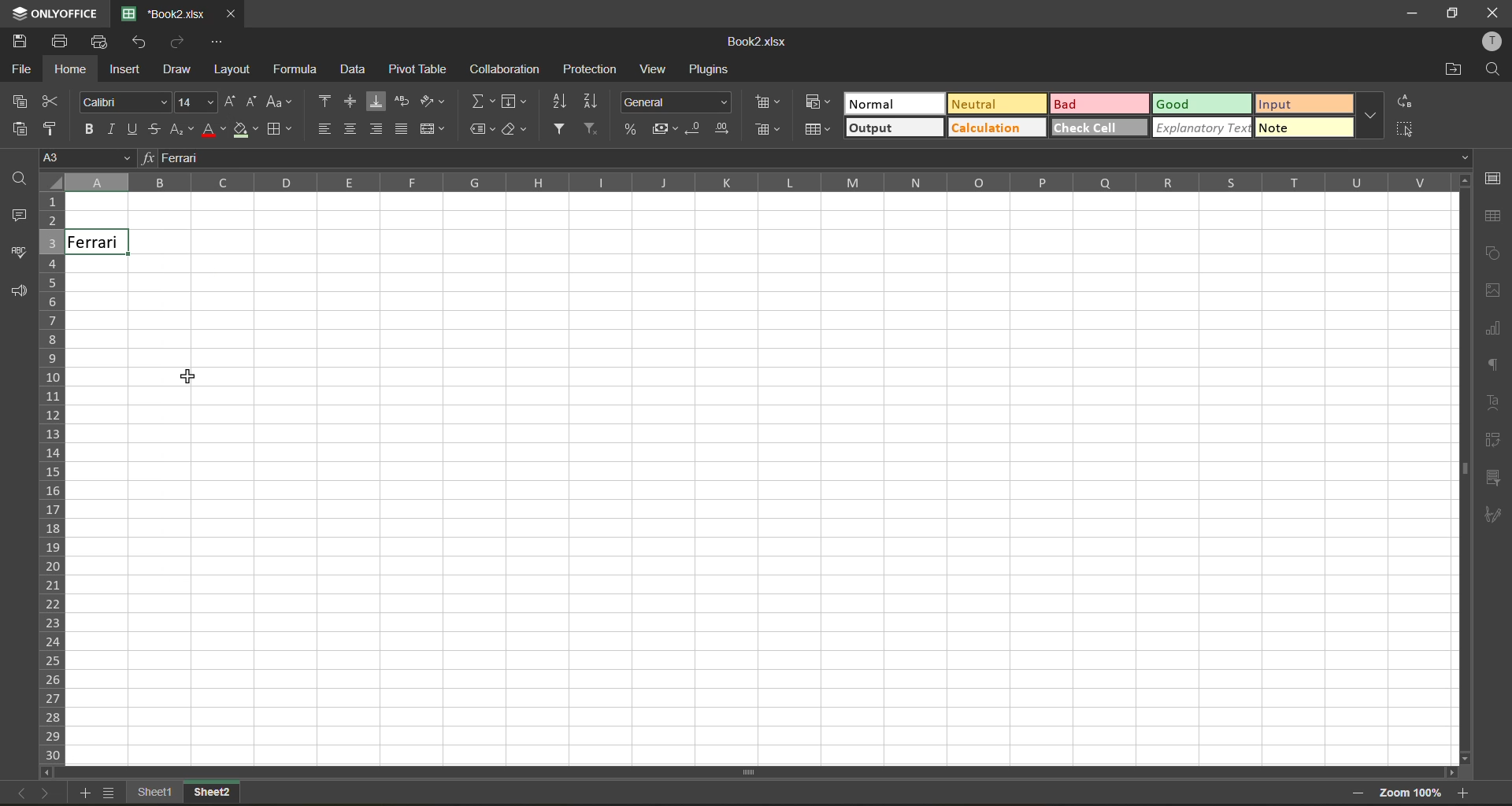  I want to click on neutral, so click(997, 104).